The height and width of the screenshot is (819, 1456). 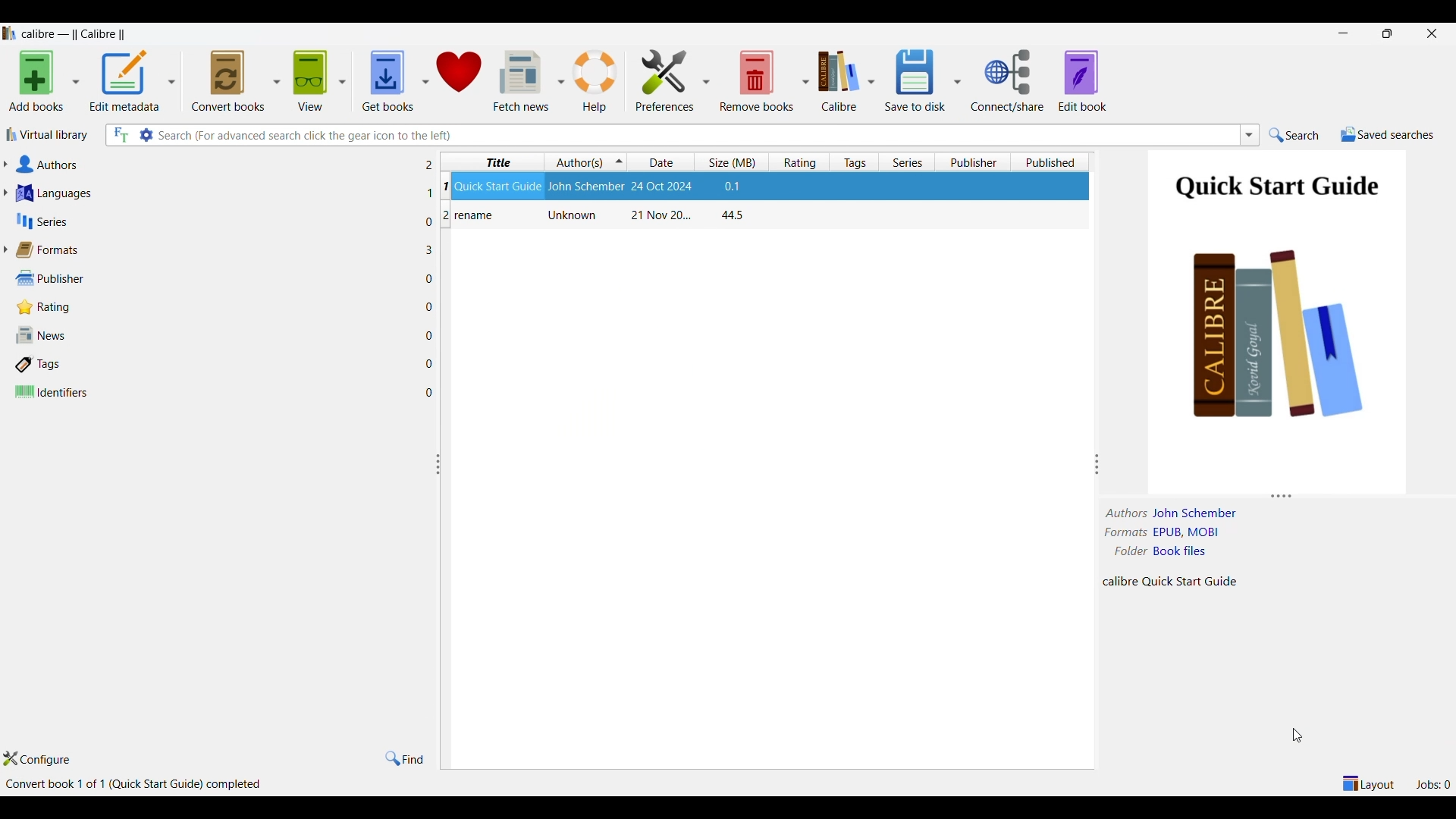 I want to click on restore, so click(x=1386, y=33).